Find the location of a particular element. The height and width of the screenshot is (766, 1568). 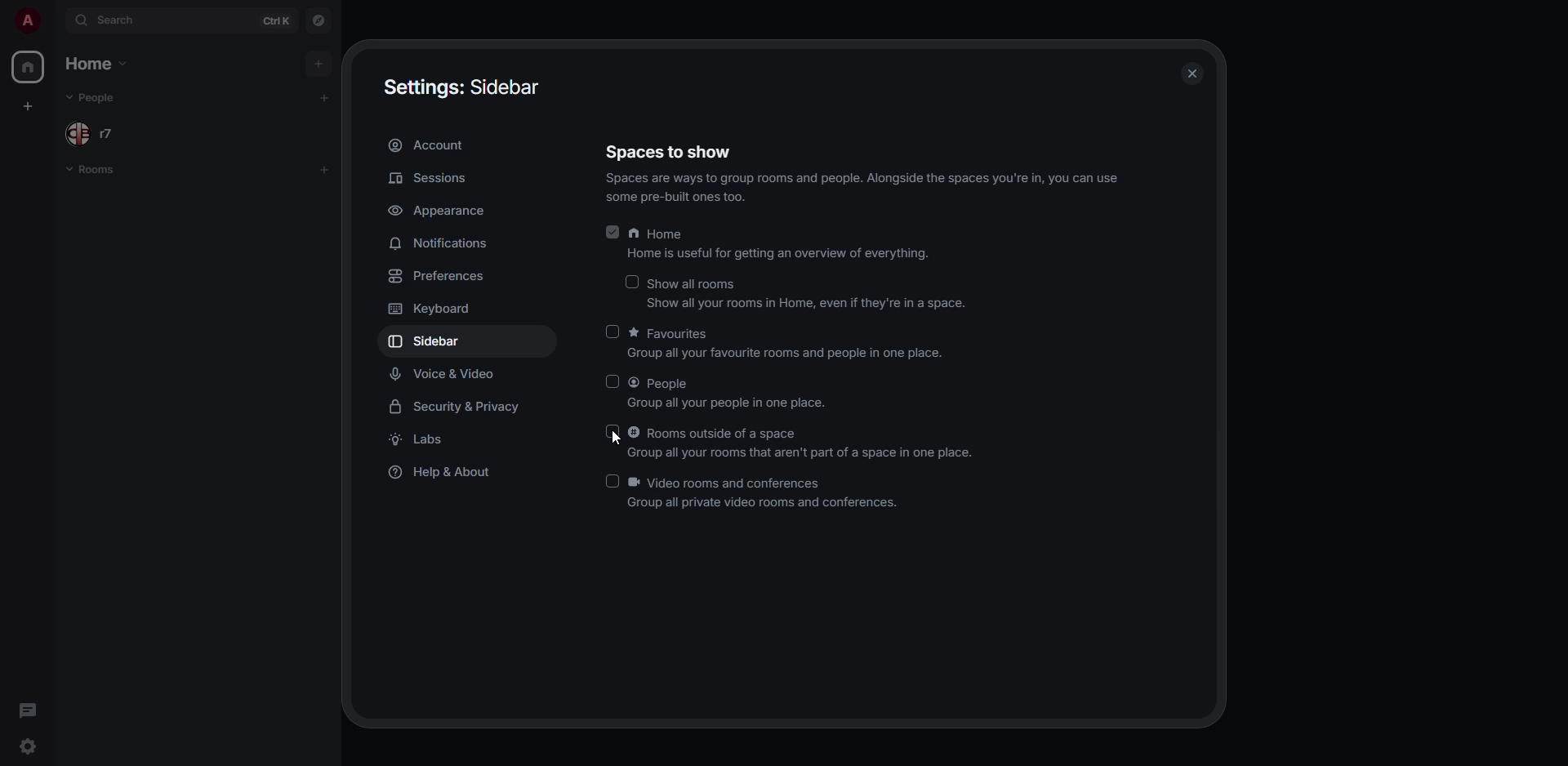

home is located at coordinates (781, 244).